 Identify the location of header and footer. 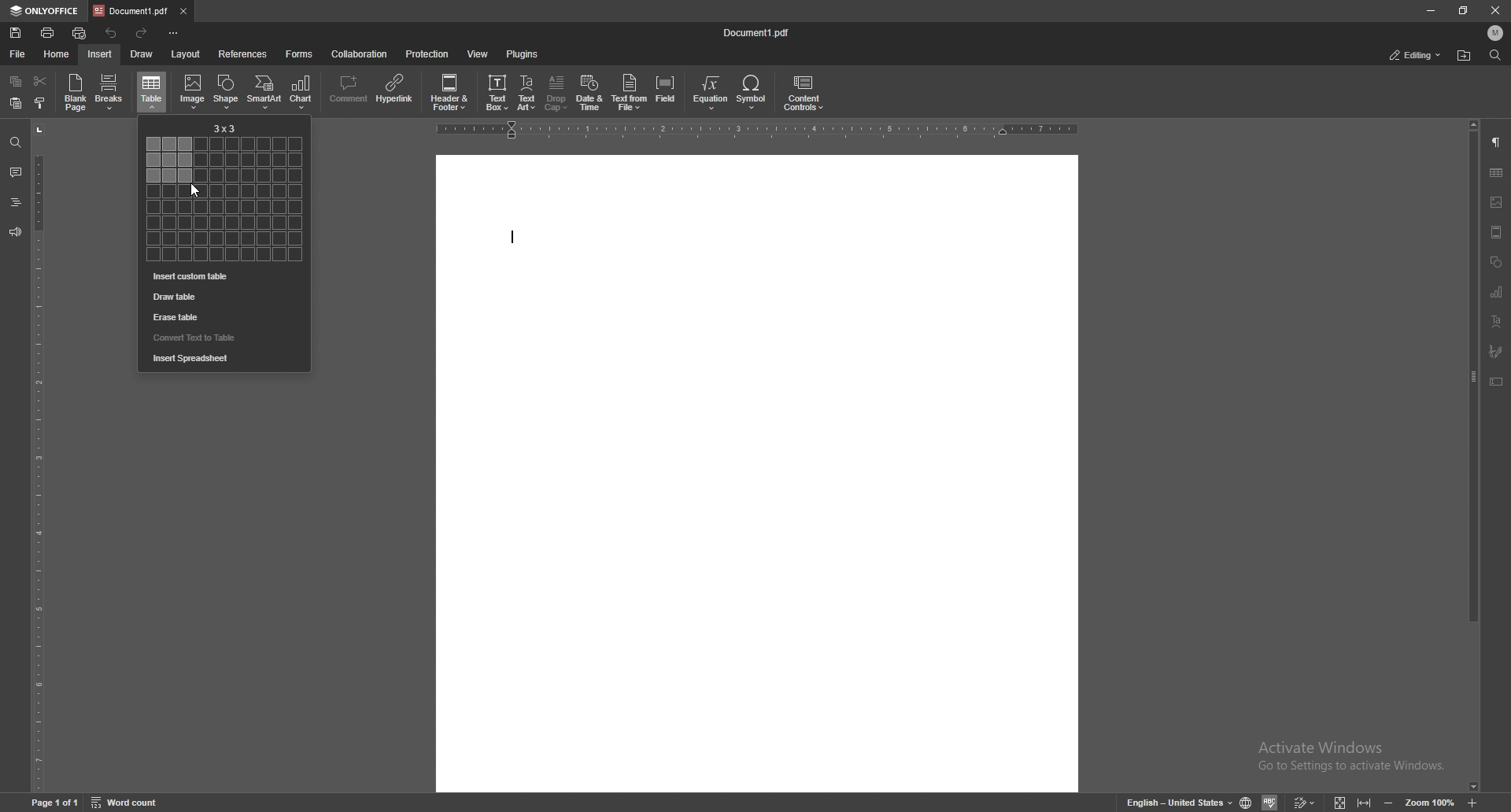
(451, 93).